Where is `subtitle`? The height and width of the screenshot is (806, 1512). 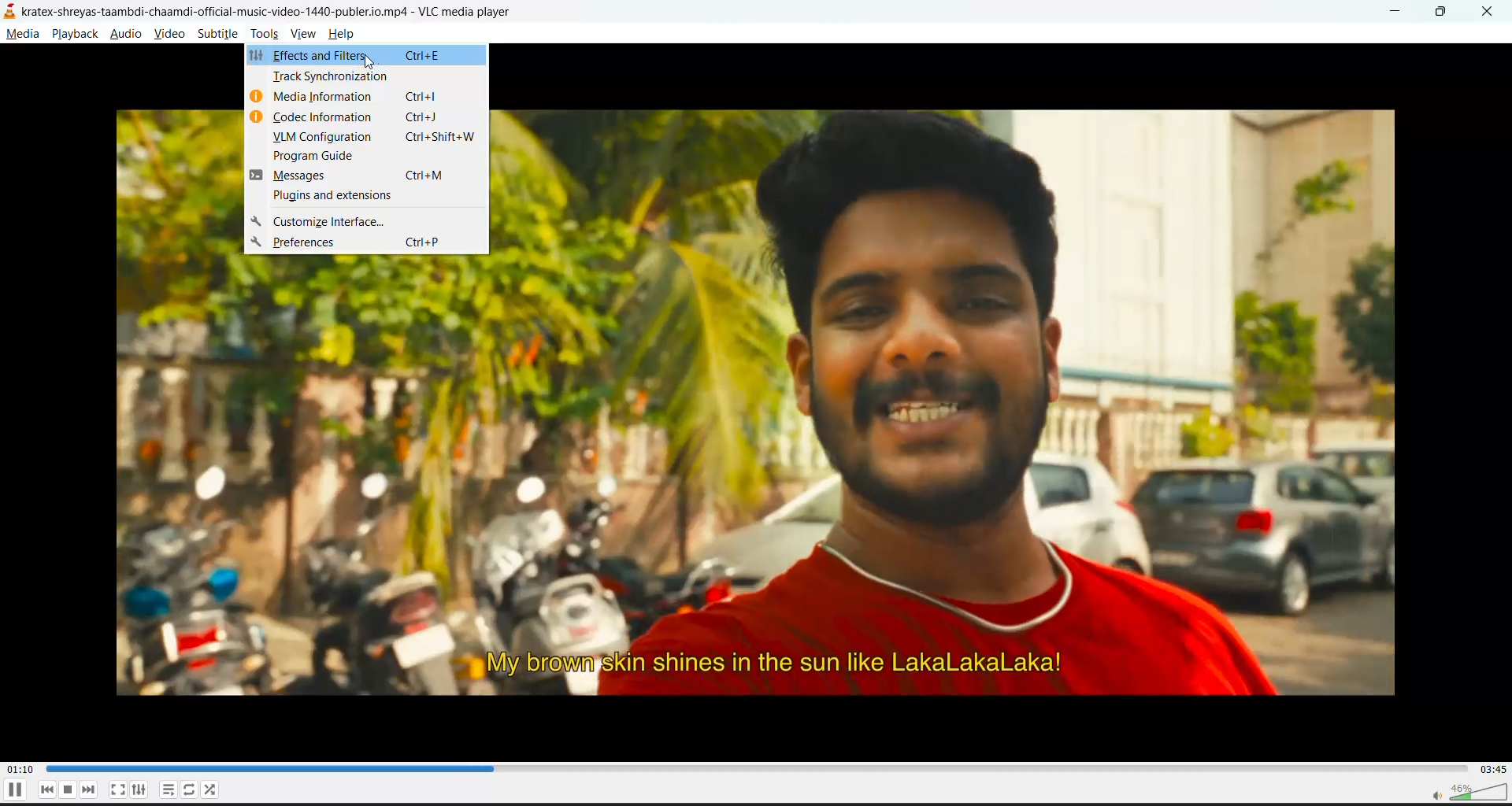
subtitle is located at coordinates (220, 34).